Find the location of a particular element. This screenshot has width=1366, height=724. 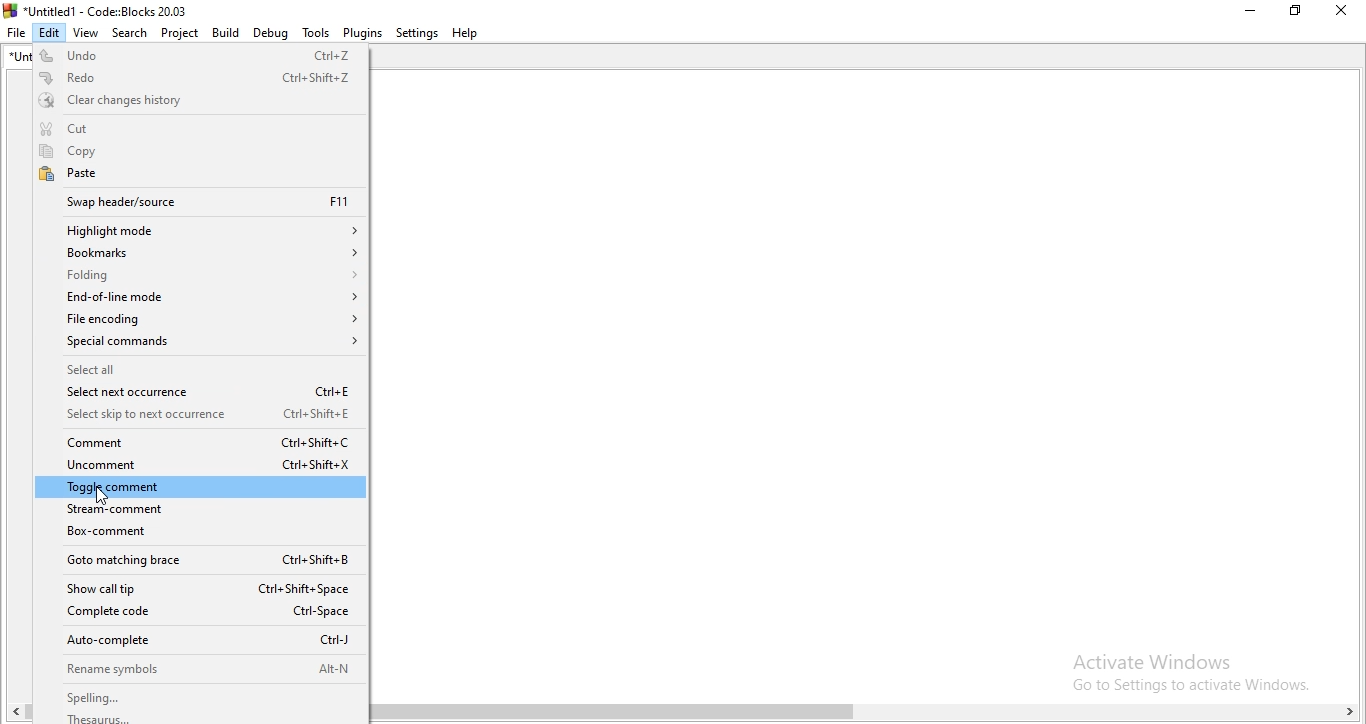

Uncomment is located at coordinates (196, 465).